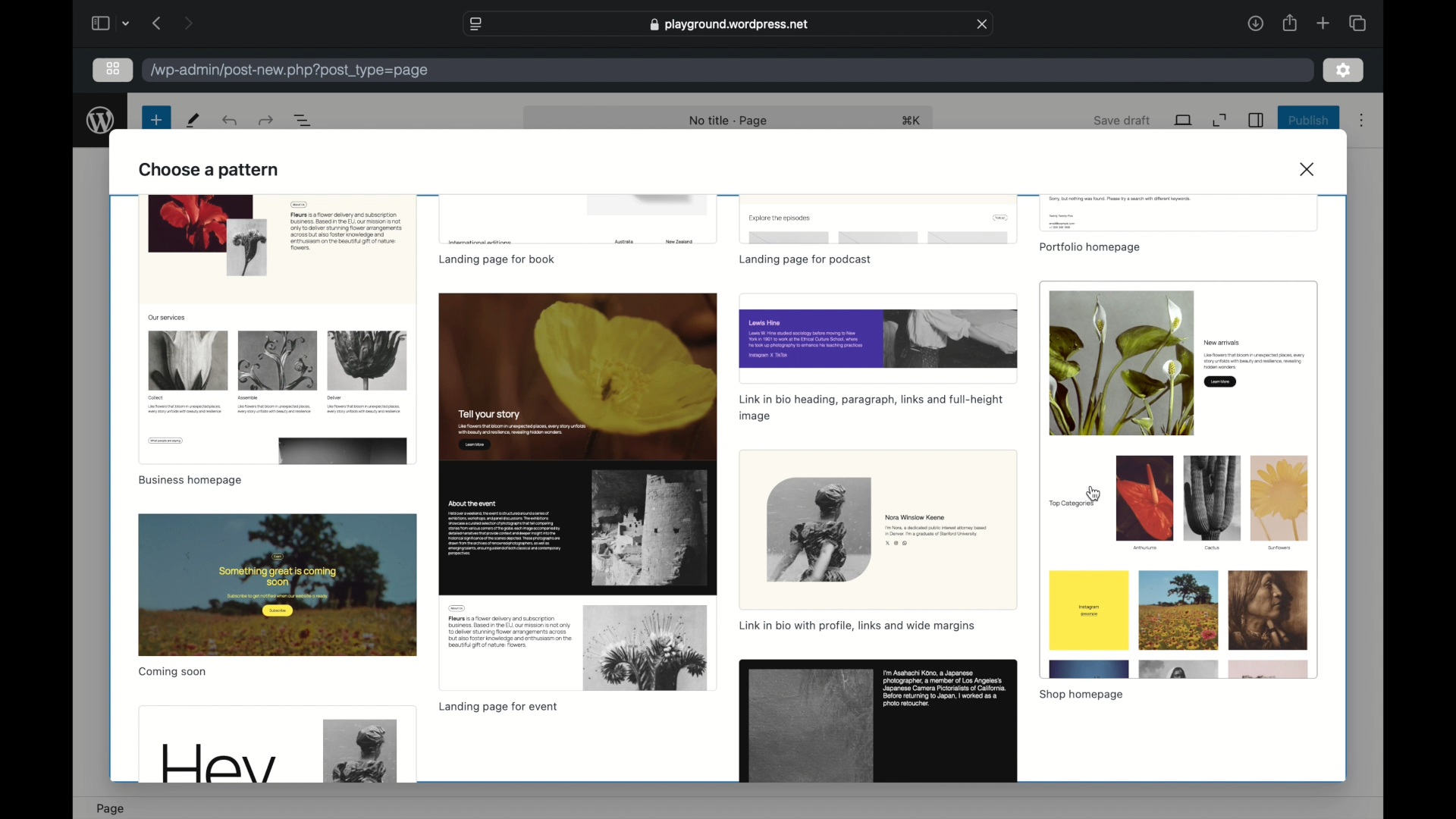 The width and height of the screenshot is (1456, 819). Describe the element at coordinates (113, 68) in the screenshot. I see `grid` at that location.